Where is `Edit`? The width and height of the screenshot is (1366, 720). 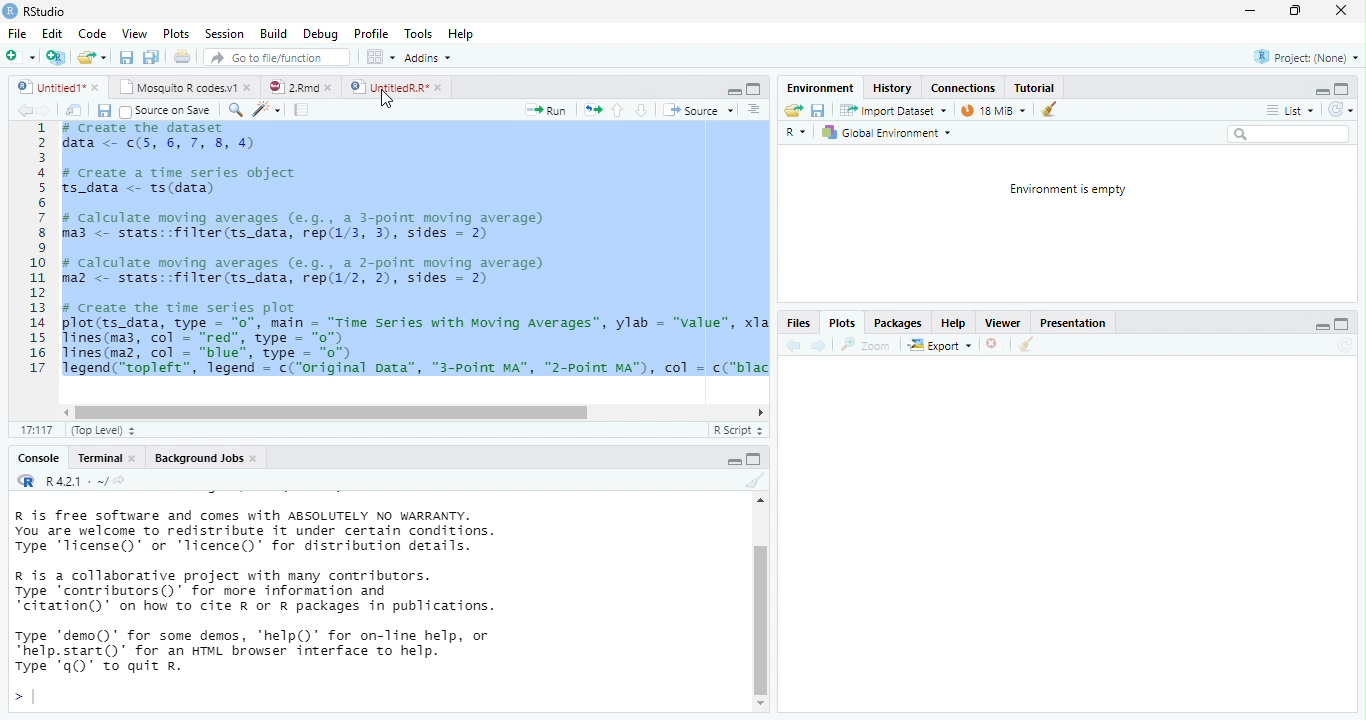
Edit is located at coordinates (52, 33).